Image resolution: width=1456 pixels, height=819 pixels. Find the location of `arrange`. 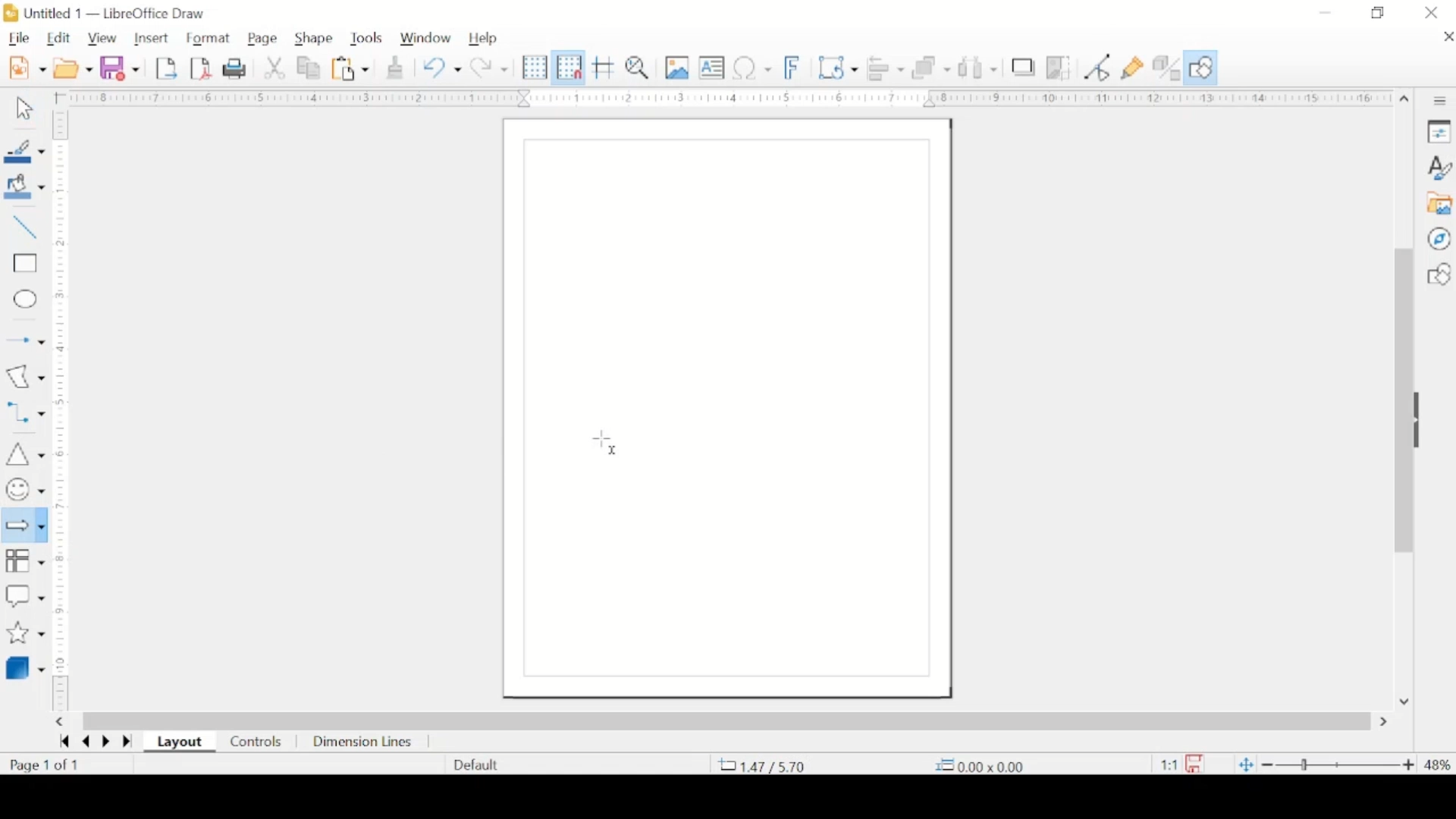

arrange is located at coordinates (933, 66).